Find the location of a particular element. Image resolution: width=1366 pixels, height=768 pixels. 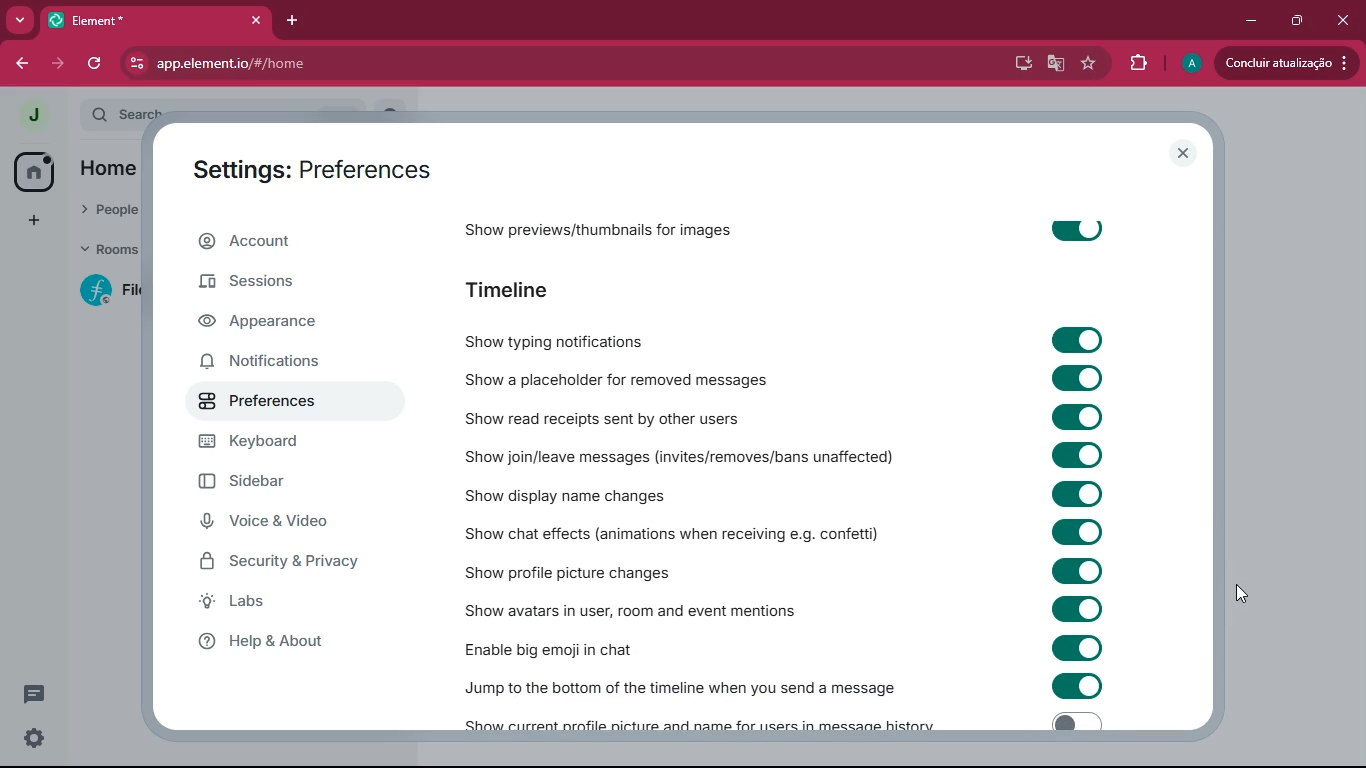

more is located at coordinates (20, 19).